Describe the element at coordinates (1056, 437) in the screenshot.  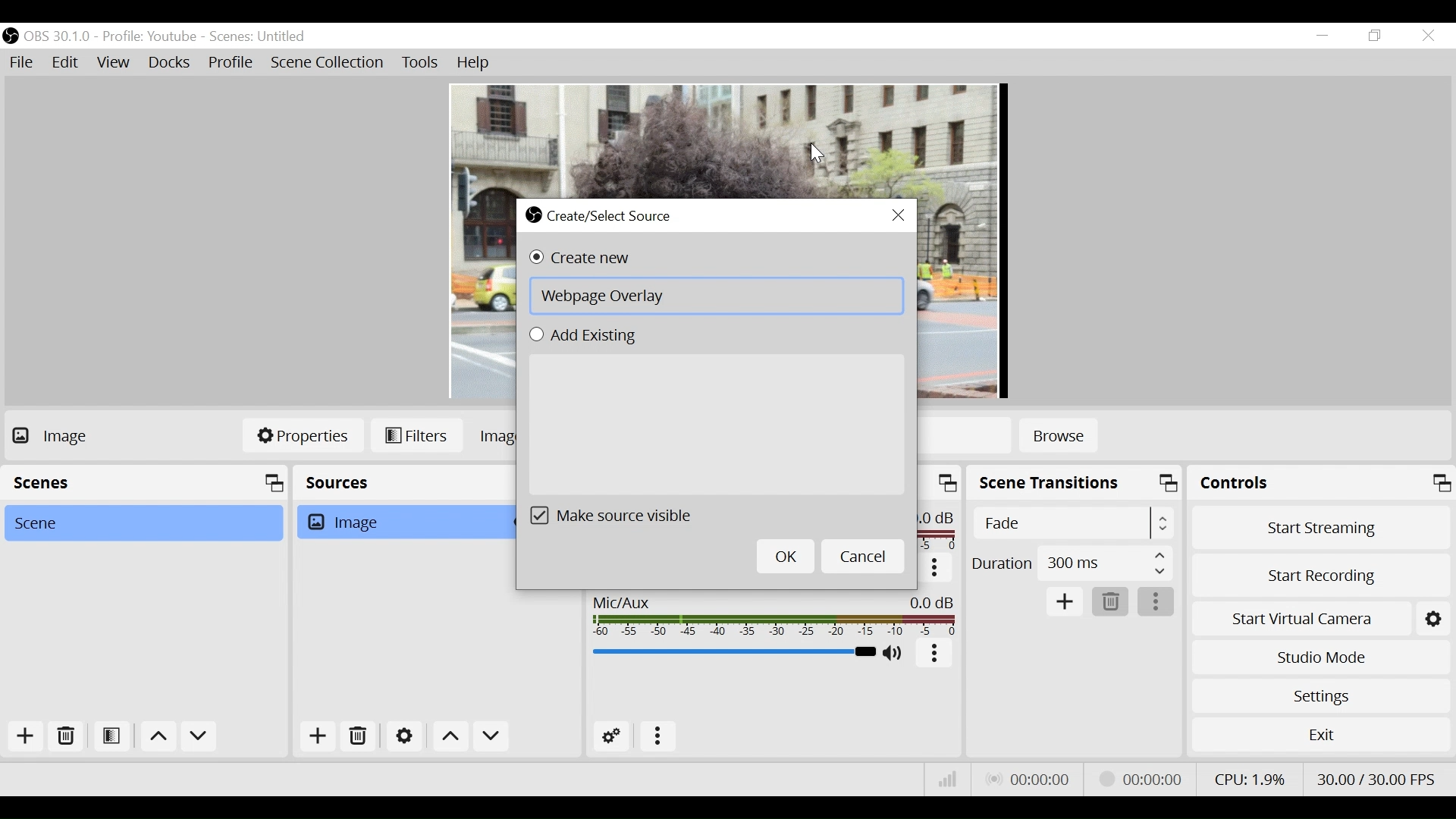
I see `Browse ` at that location.